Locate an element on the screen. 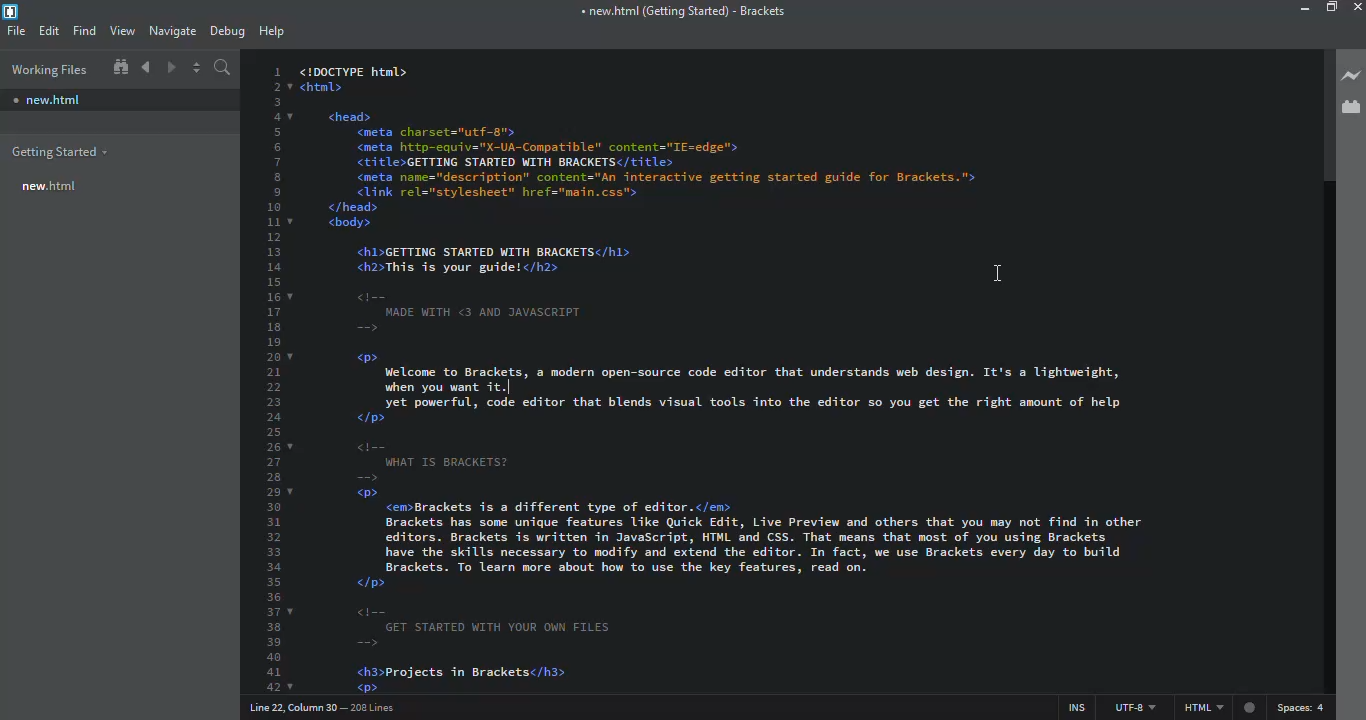 This screenshot has width=1366, height=720. minimize is located at coordinates (1298, 9).